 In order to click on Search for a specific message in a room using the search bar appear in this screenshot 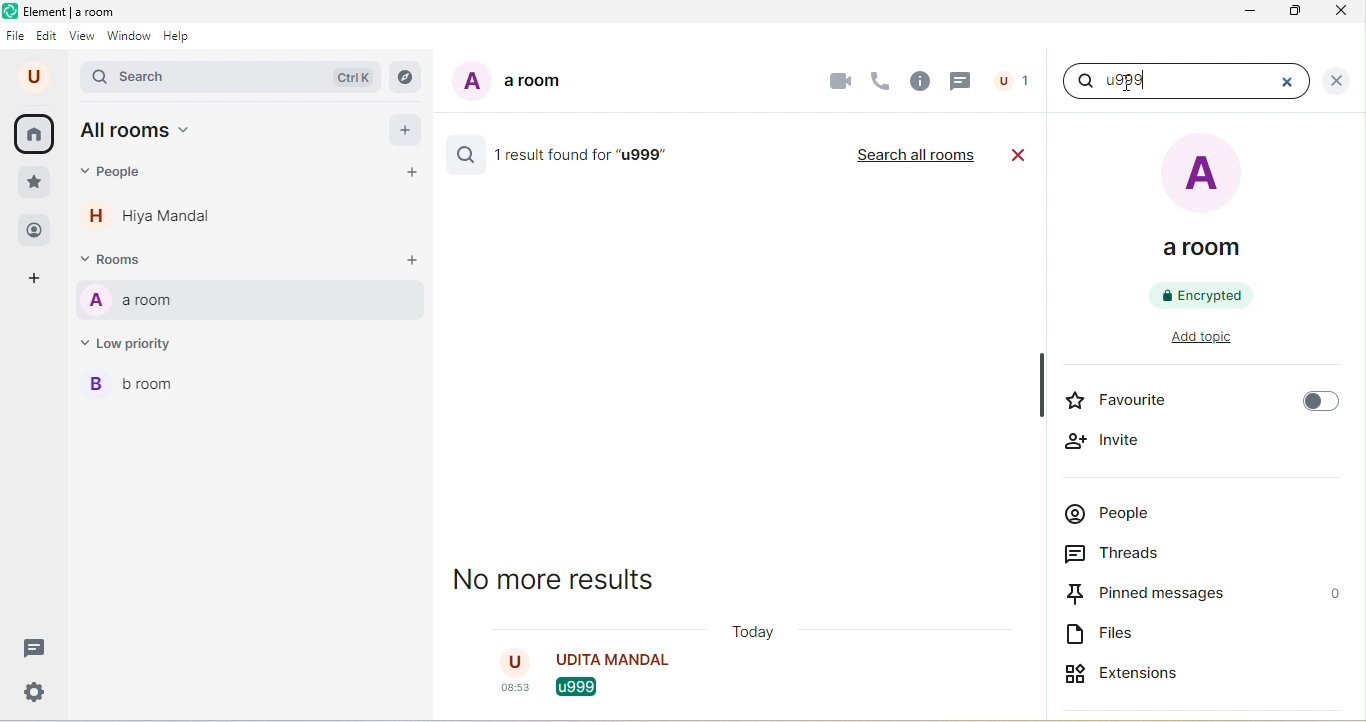, I will do `click(1162, 83)`.